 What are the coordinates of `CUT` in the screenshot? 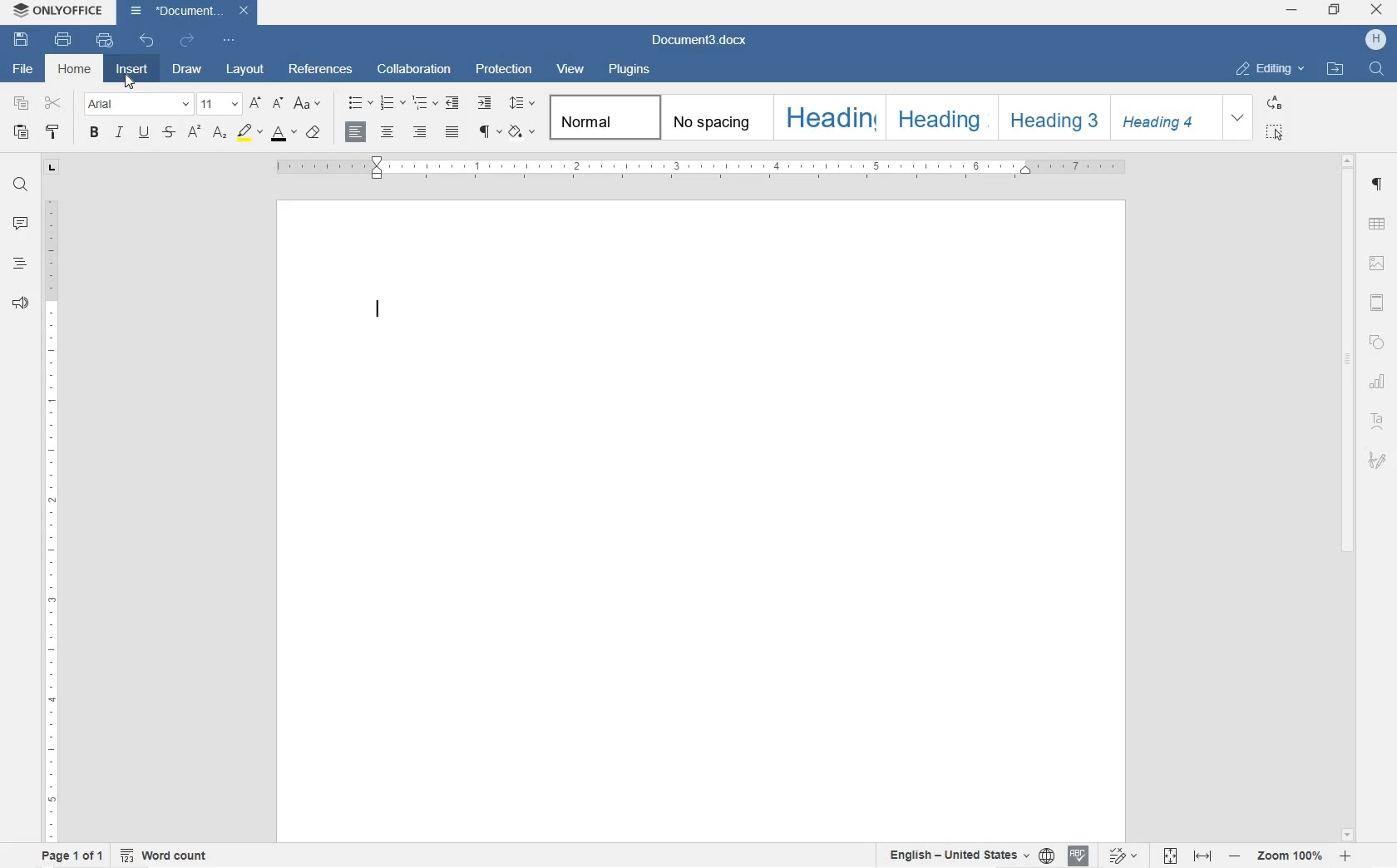 It's located at (57, 106).